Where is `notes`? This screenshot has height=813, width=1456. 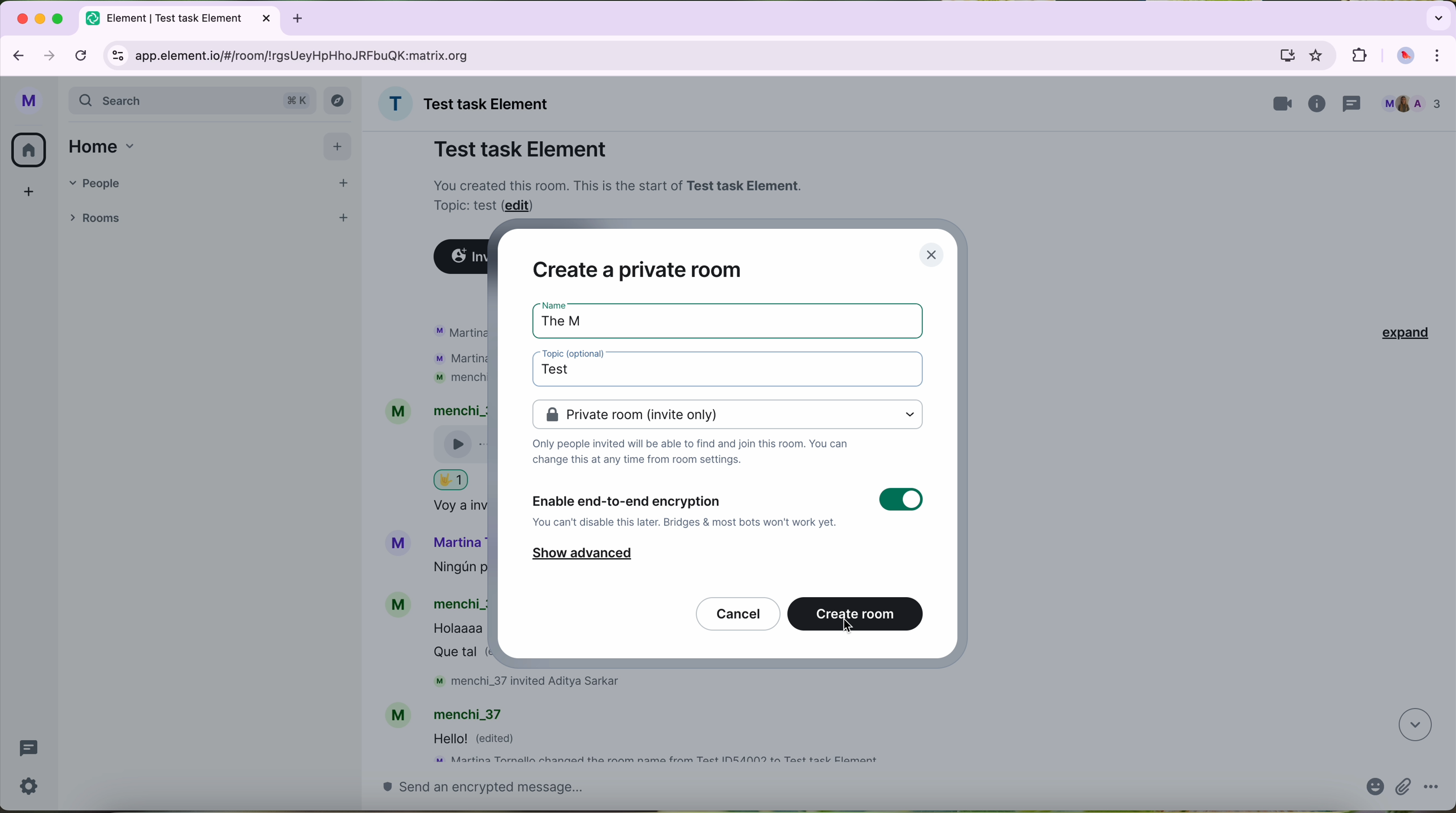 notes is located at coordinates (691, 455).